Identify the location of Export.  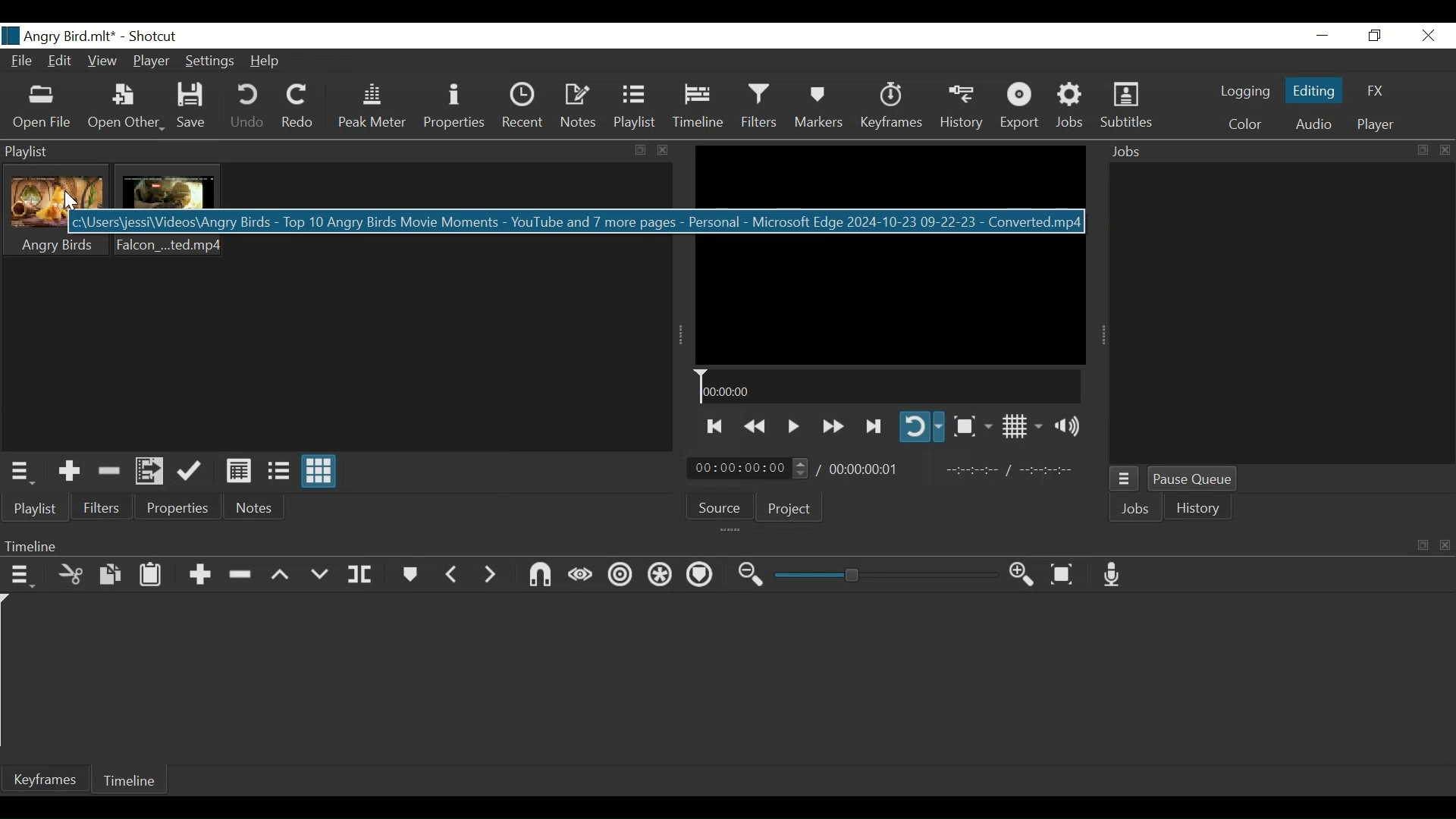
(1023, 108).